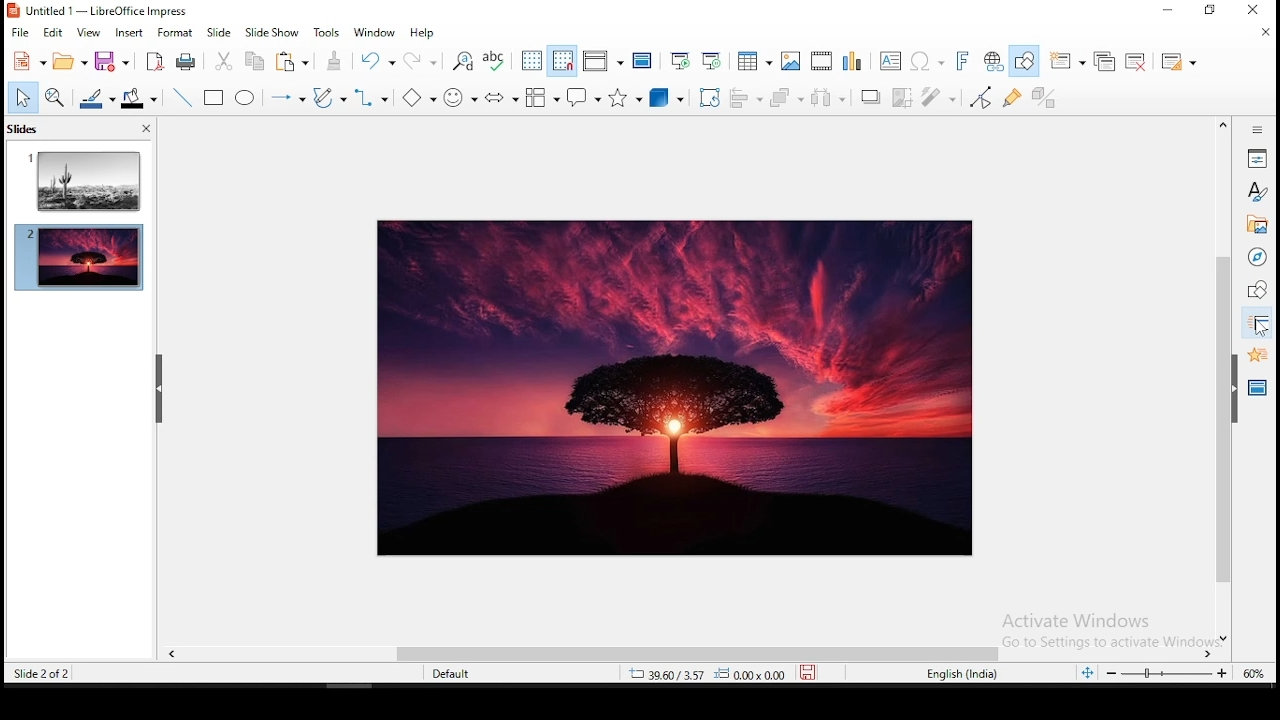  What do you see at coordinates (1251, 11) in the screenshot?
I see `close window` at bounding box center [1251, 11].